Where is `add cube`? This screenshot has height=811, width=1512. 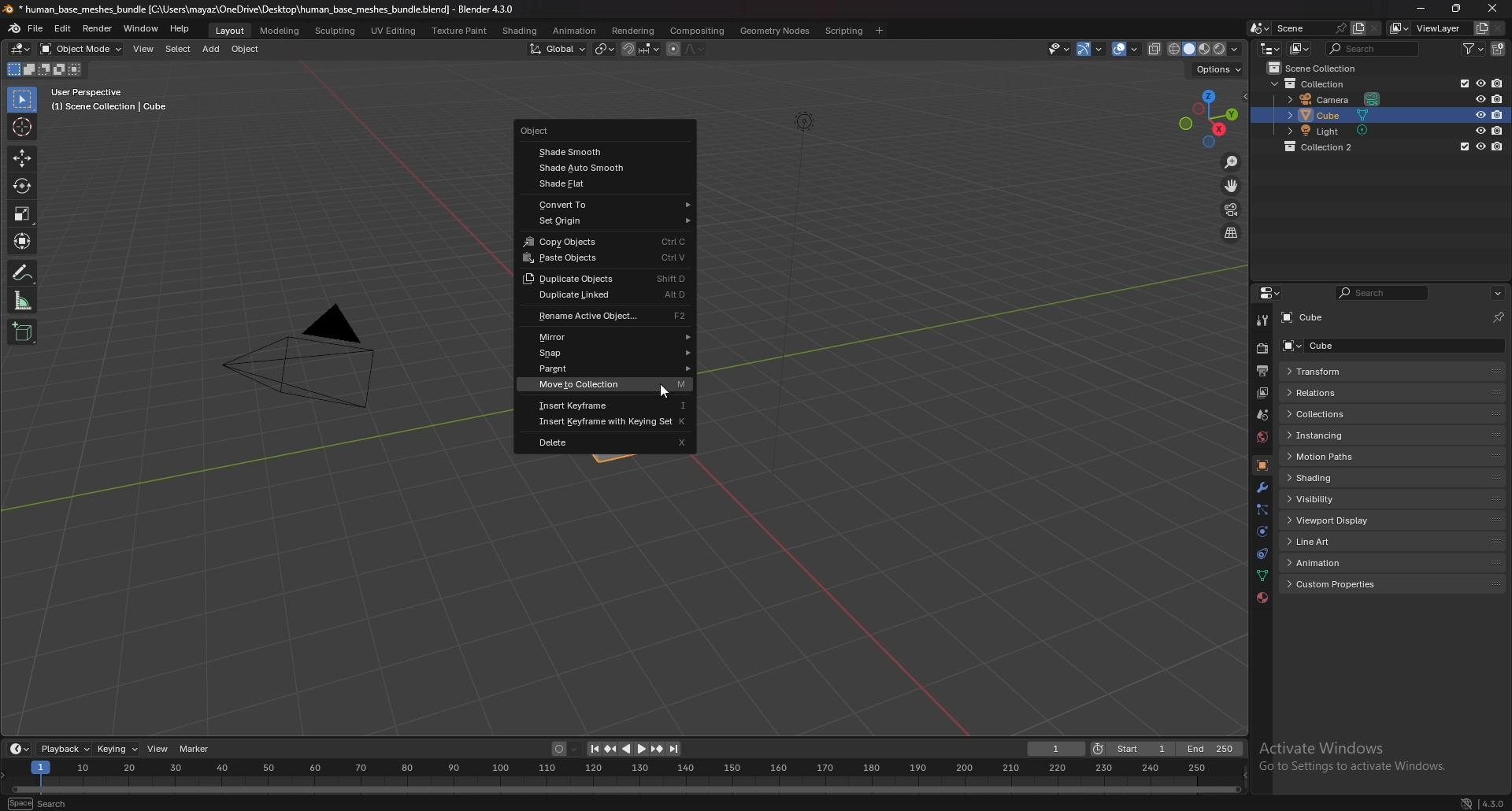 add cube is located at coordinates (23, 331).